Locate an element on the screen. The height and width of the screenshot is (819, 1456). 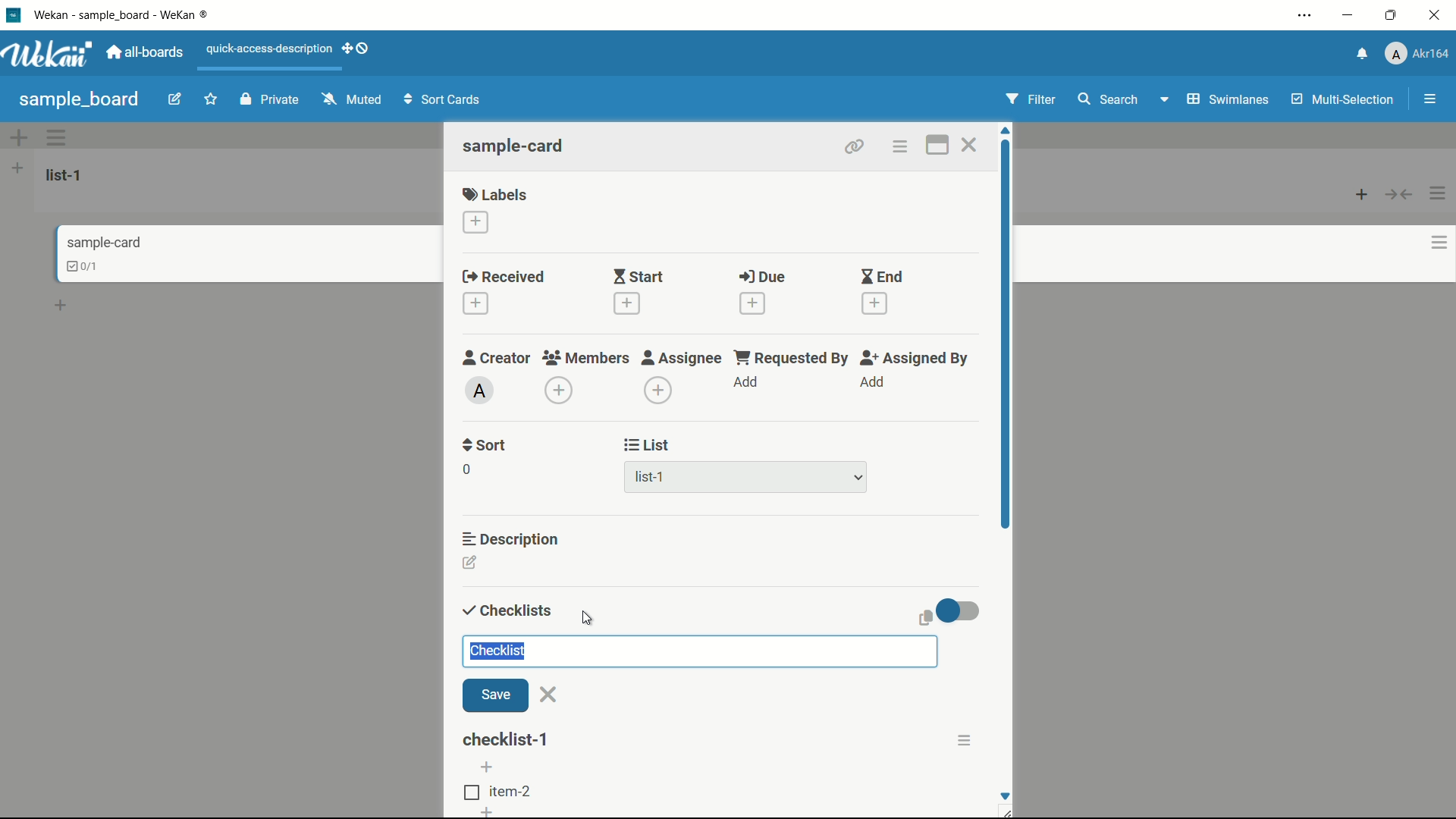
requested by is located at coordinates (792, 357).